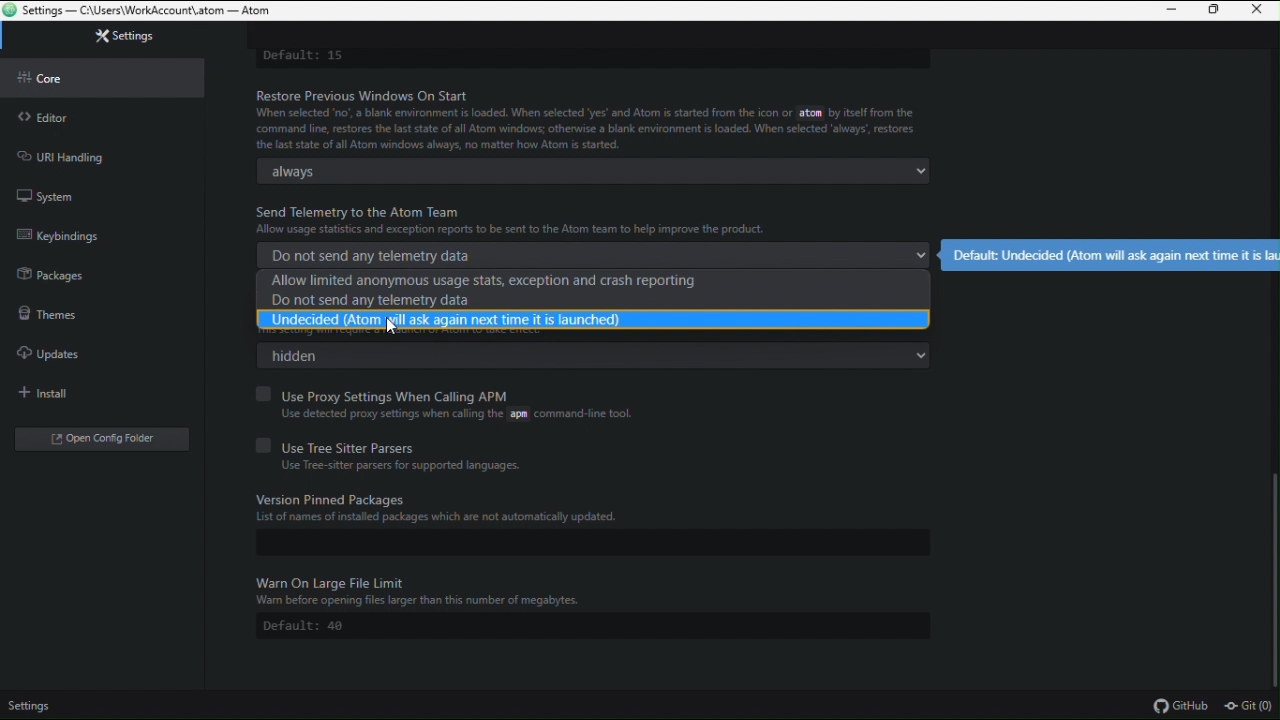 The width and height of the screenshot is (1280, 720). Describe the element at coordinates (1217, 11) in the screenshot. I see `restore` at that location.